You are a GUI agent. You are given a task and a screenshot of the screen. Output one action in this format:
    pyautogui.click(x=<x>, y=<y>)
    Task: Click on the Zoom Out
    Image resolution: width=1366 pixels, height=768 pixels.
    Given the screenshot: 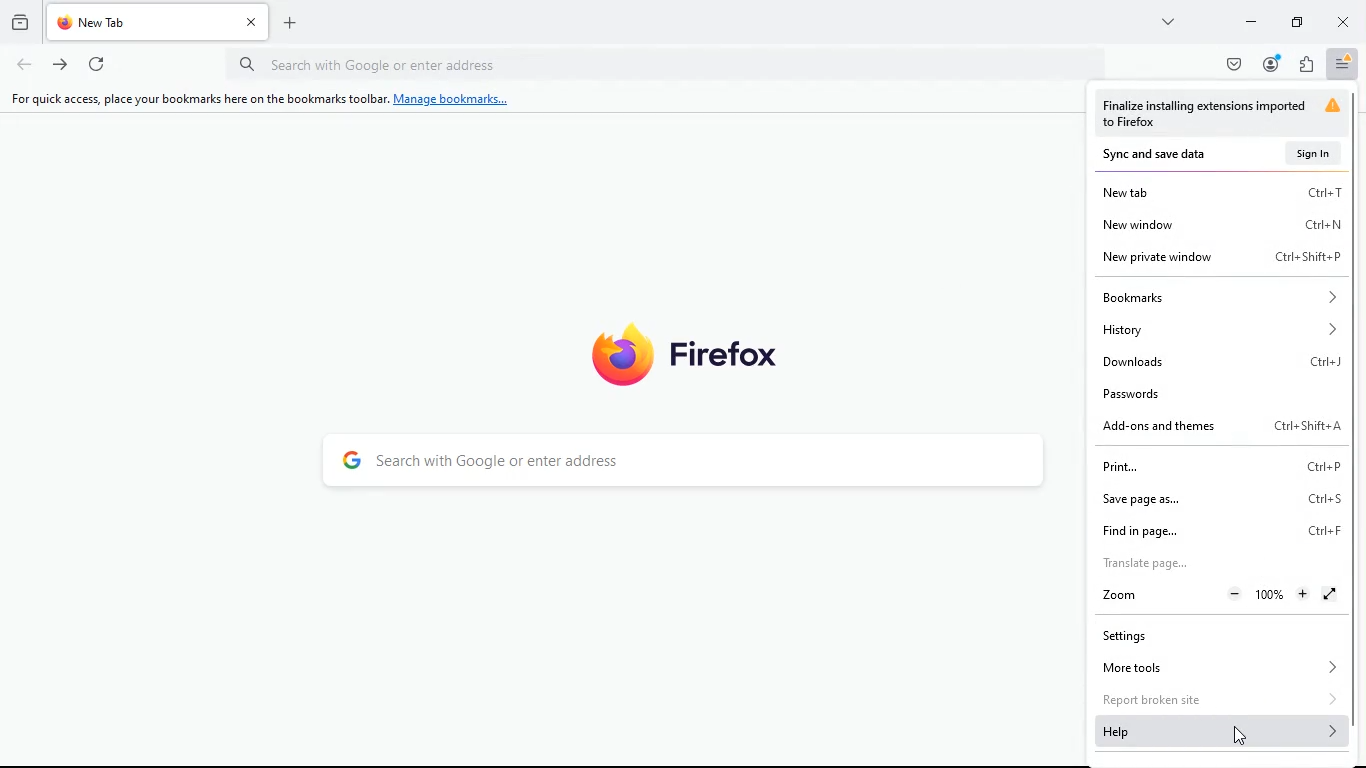 What is the action you would take?
    pyautogui.click(x=1235, y=593)
    